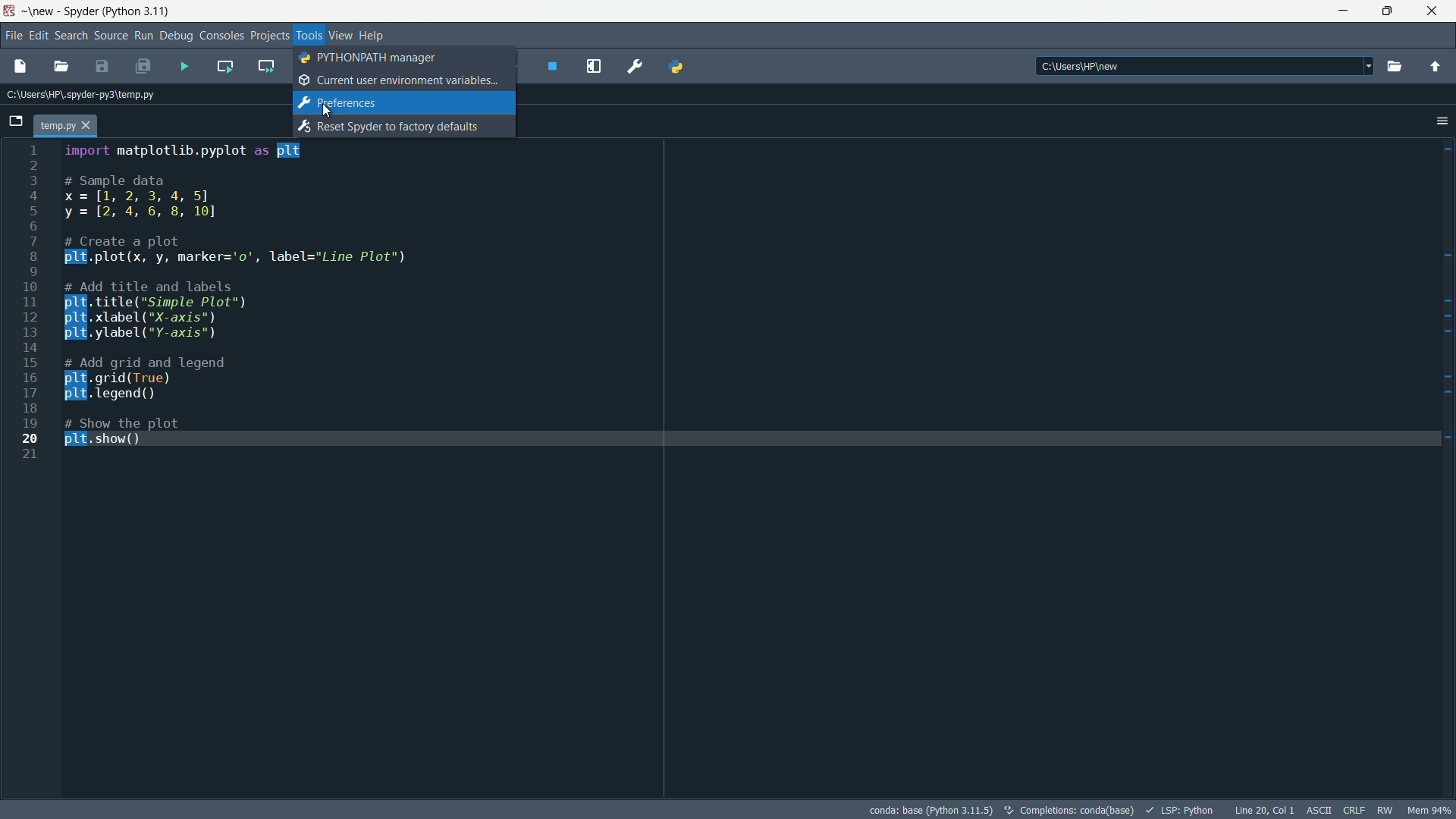  What do you see at coordinates (593, 66) in the screenshot?
I see `maximize current pane` at bounding box center [593, 66].